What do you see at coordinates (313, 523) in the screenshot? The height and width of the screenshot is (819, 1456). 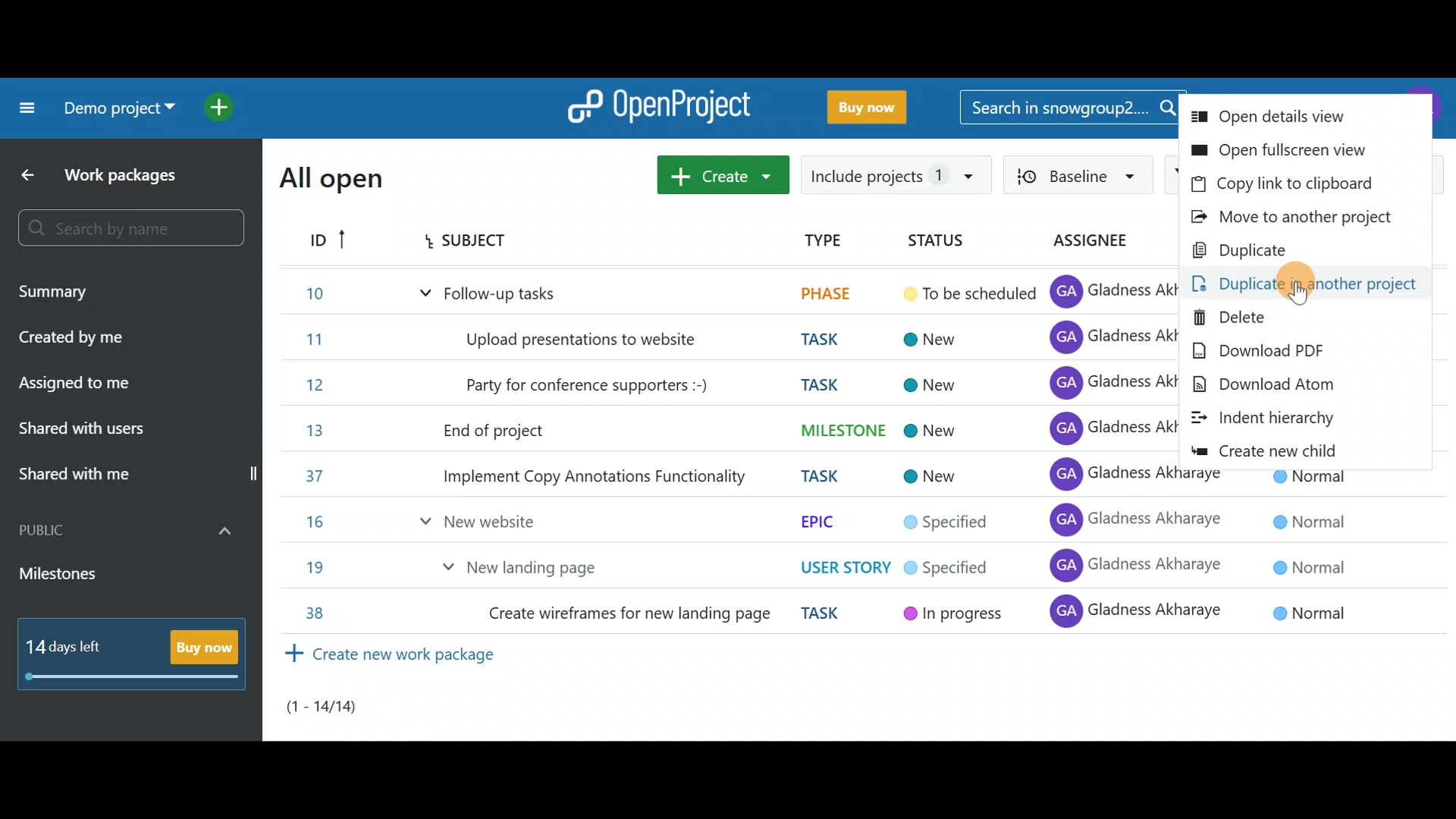 I see `16` at bounding box center [313, 523].